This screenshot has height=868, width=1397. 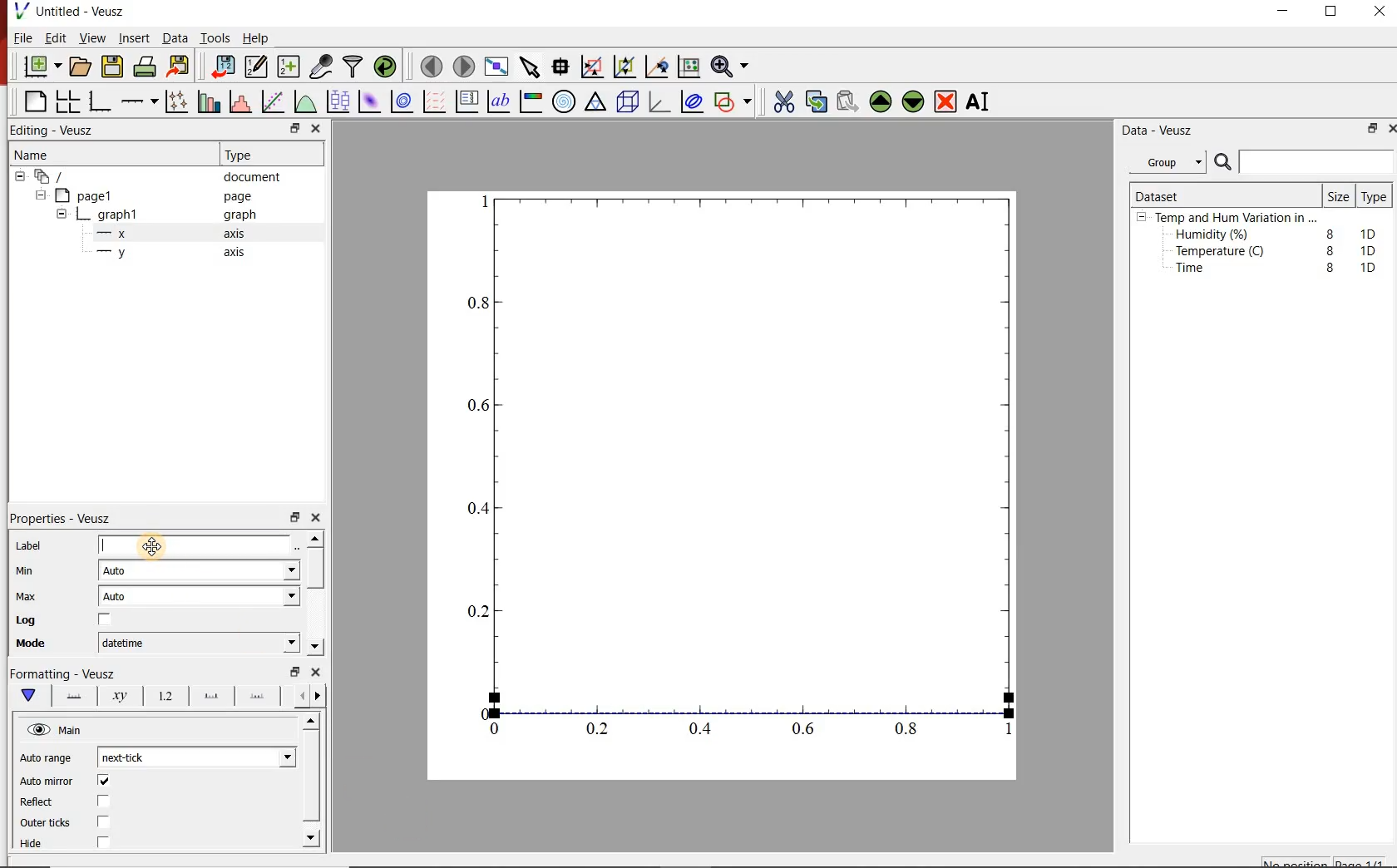 I want to click on Editing - Veusz, so click(x=57, y=130).